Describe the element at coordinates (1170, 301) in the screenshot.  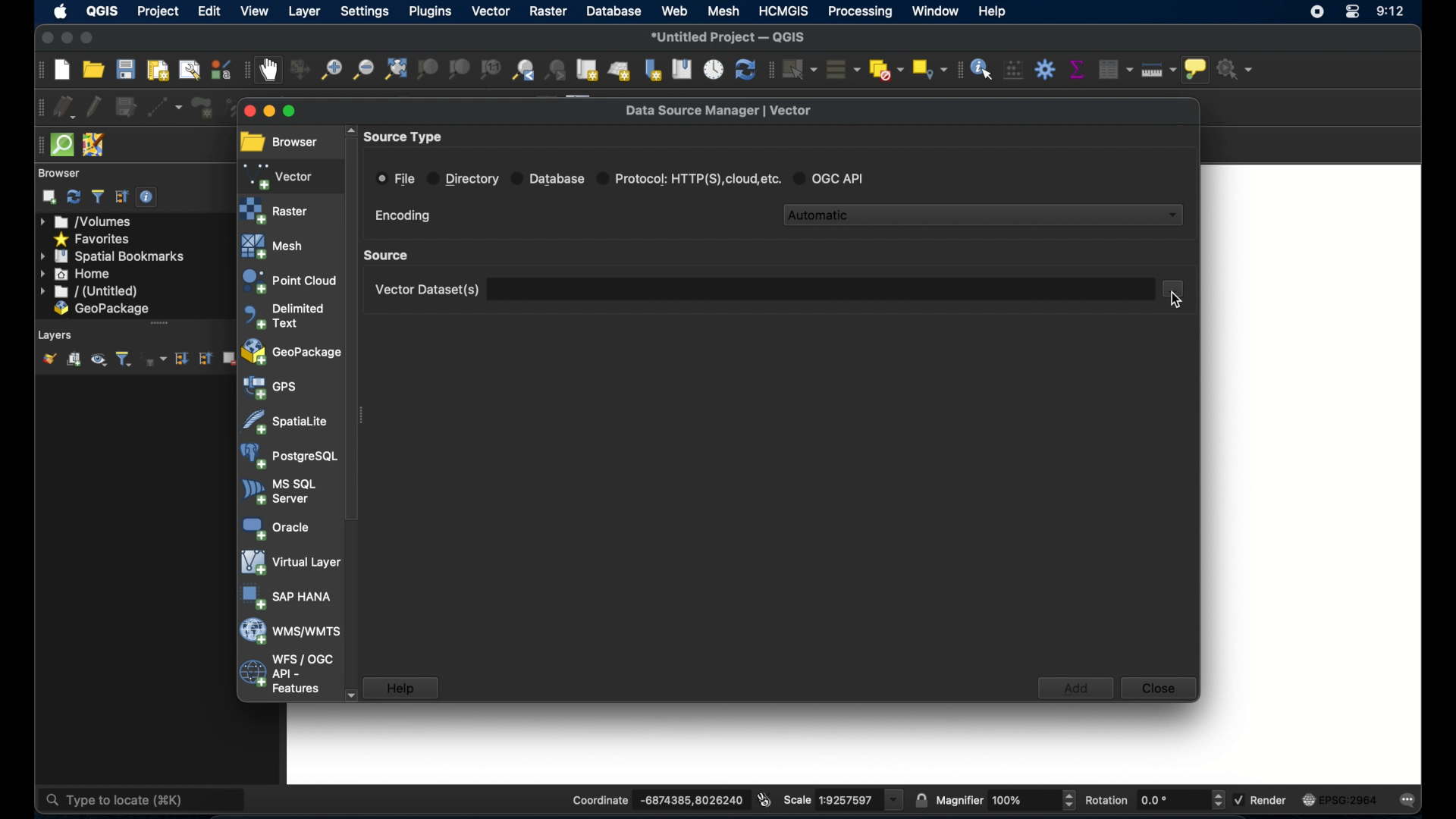
I see `cursor` at that location.